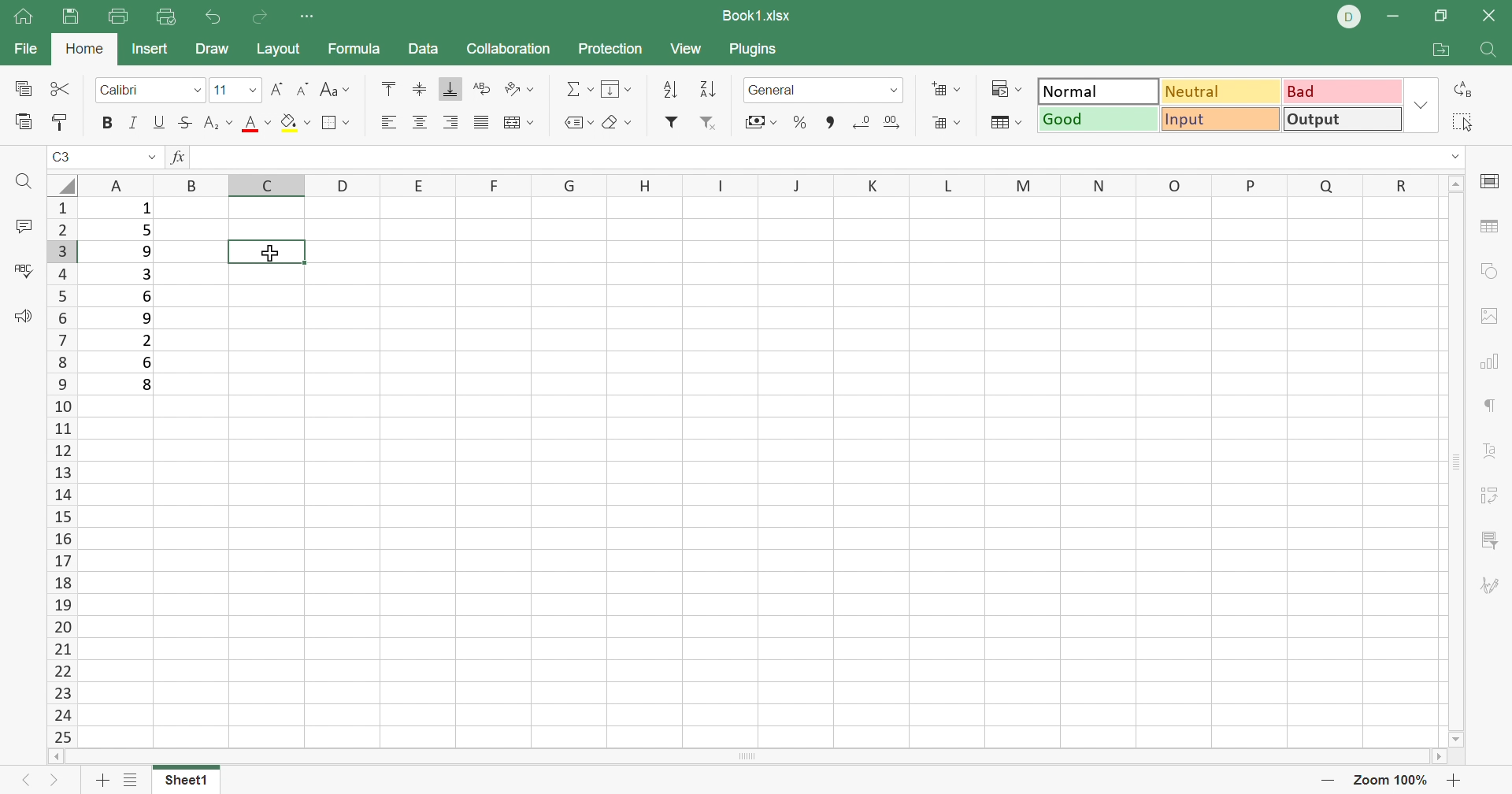 The width and height of the screenshot is (1512, 794). Describe the element at coordinates (1009, 124) in the screenshot. I see `Format as table template` at that location.